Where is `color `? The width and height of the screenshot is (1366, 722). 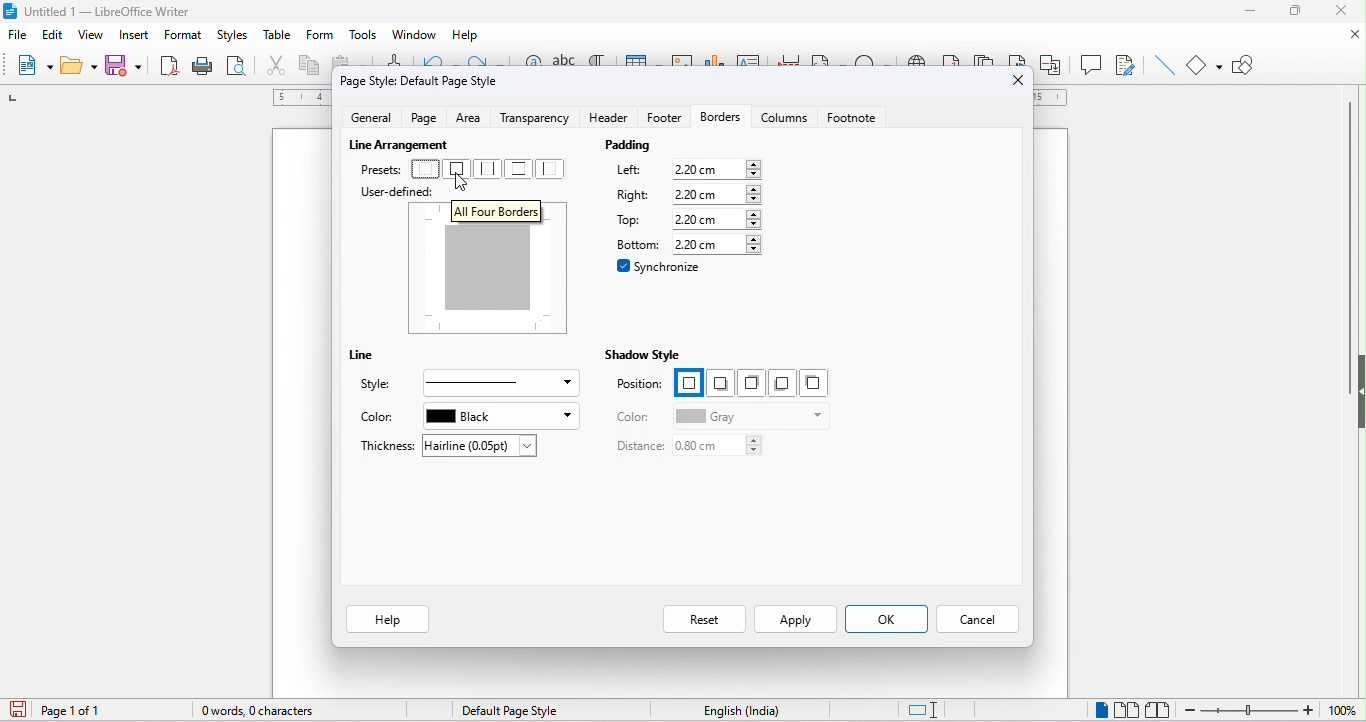 color  is located at coordinates (380, 417).